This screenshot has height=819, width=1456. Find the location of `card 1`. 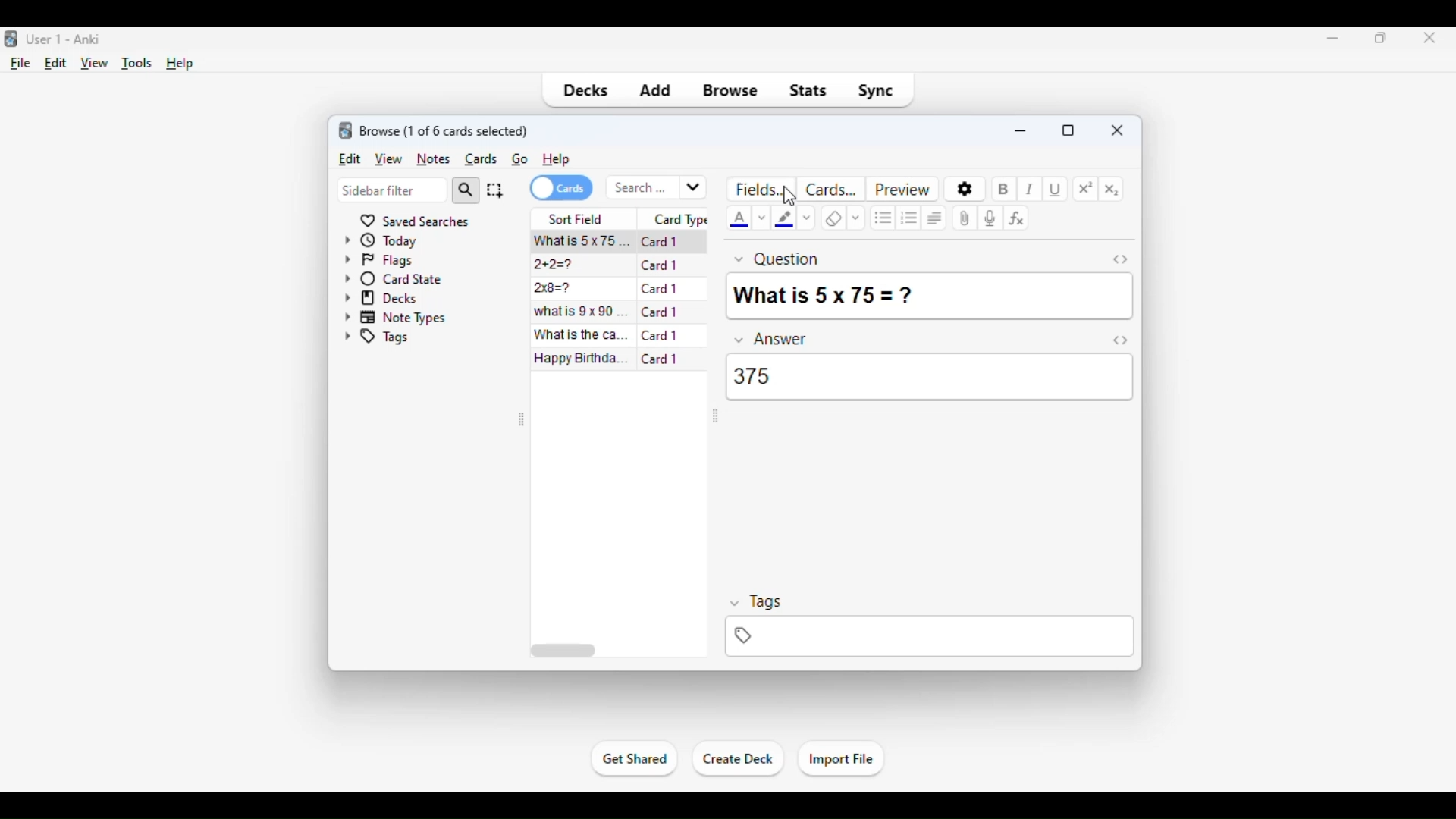

card 1 is located at coordinates (660, 358).